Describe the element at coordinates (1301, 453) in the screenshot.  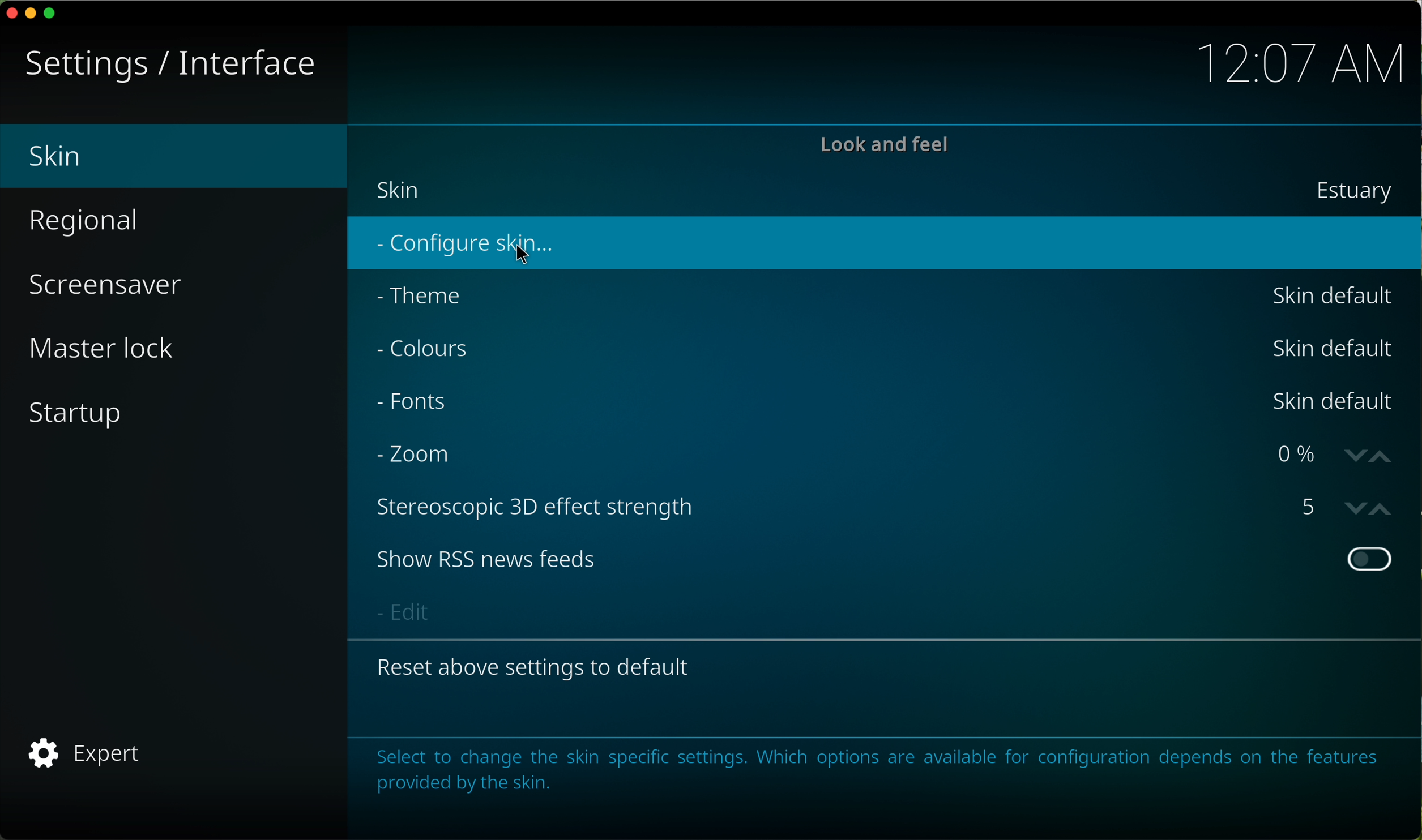
I see `0%` at that location.